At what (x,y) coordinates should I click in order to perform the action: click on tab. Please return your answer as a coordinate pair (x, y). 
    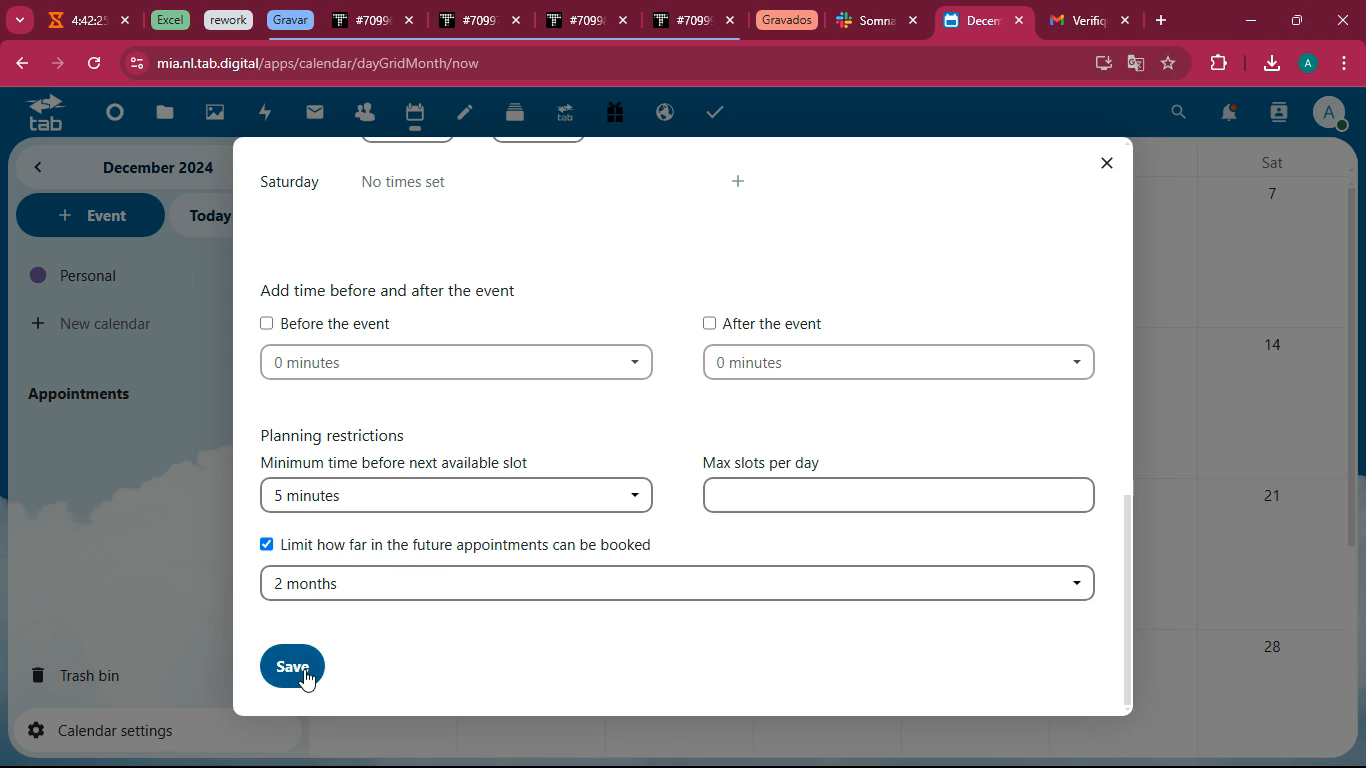
    Looking at the image, I should click on (787, 22).